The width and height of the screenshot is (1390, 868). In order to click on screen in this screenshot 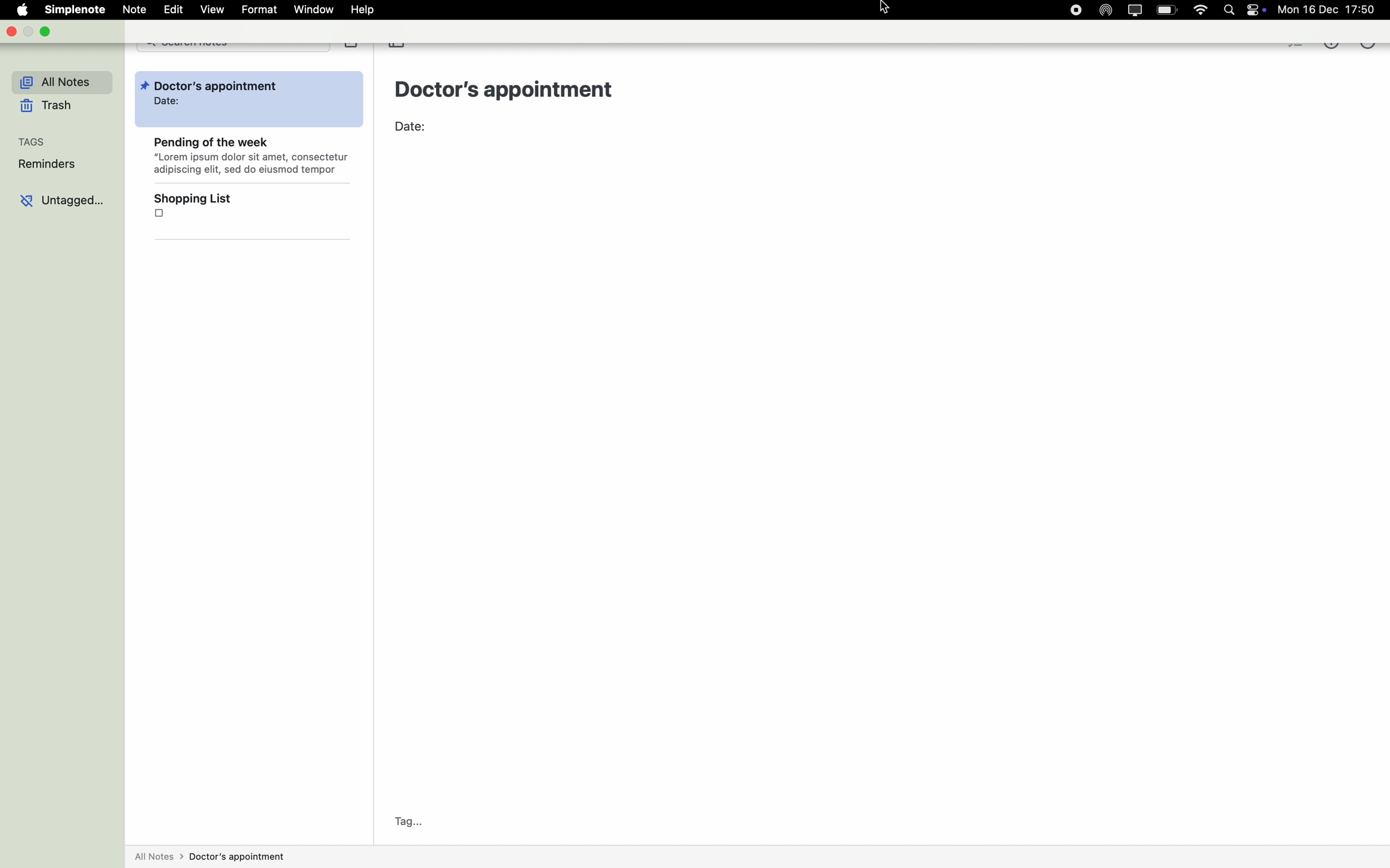, I will do `click(1139, 10)`.